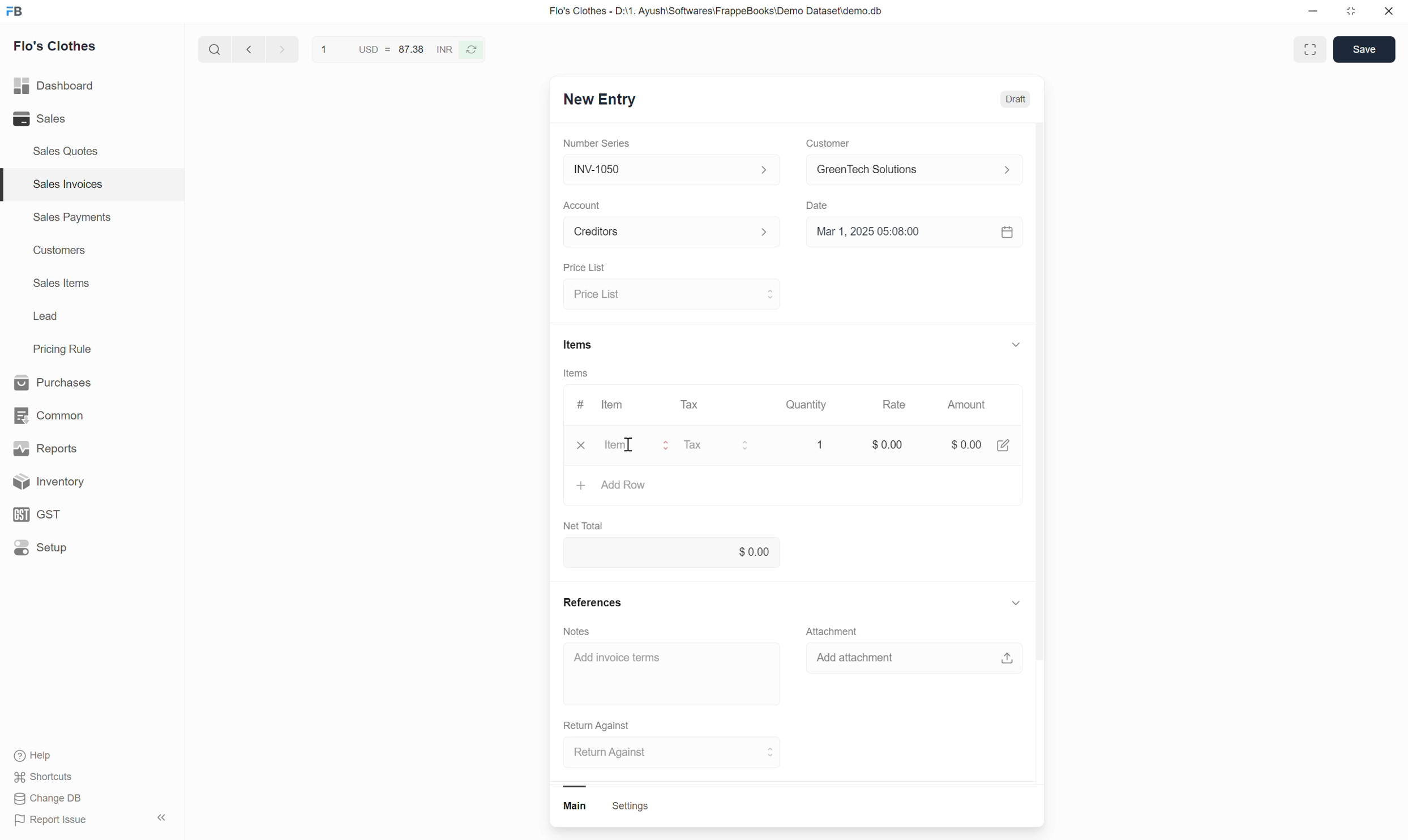 The height and width of the screenshot is (840, 1408). I want to click on Purchases , so click(71, 381).